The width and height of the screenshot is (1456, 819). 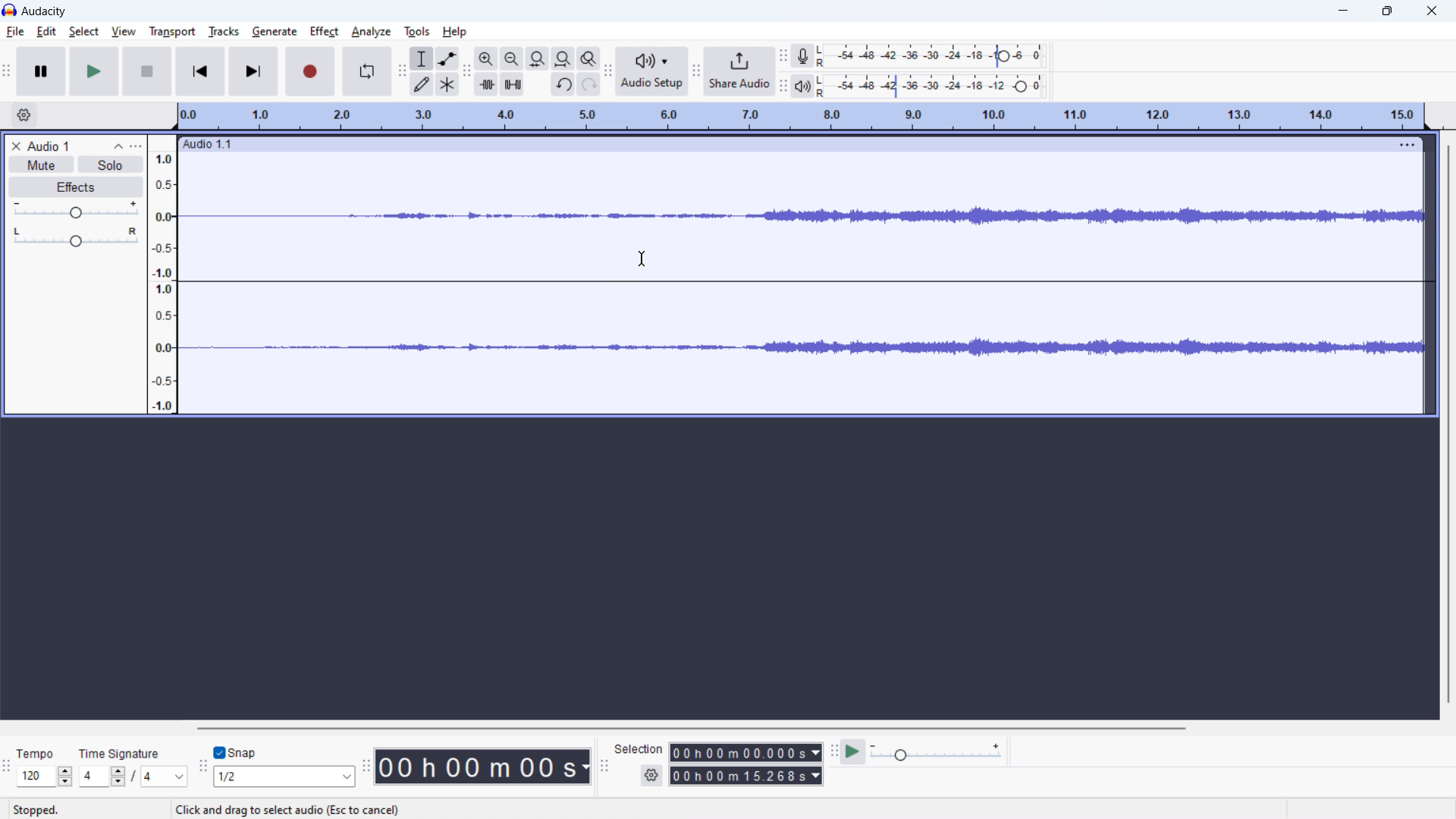 I want to click on skip to start, so click(x=200, y=71).